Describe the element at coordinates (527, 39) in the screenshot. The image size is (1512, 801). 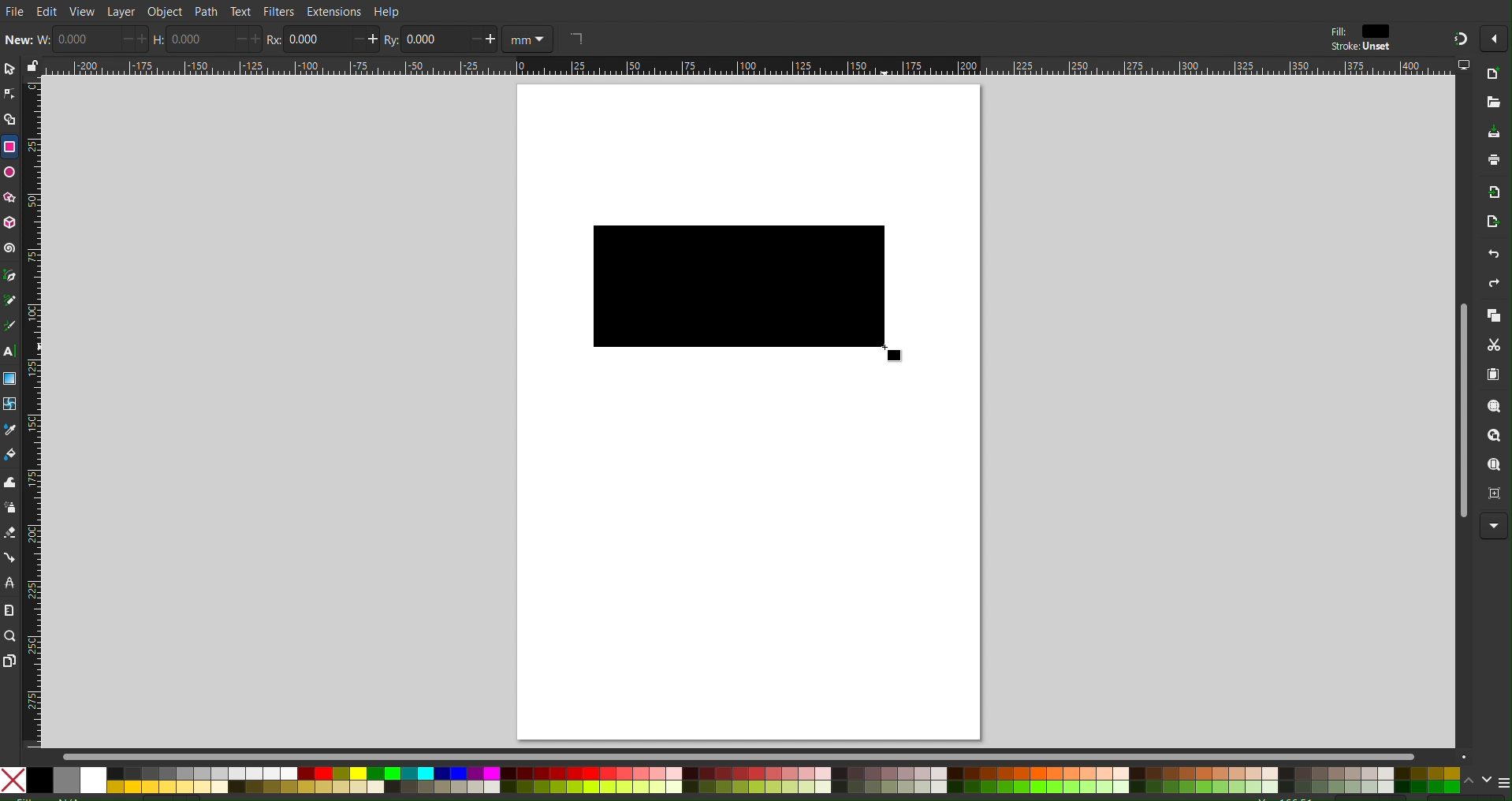
I see `Units` at that location.